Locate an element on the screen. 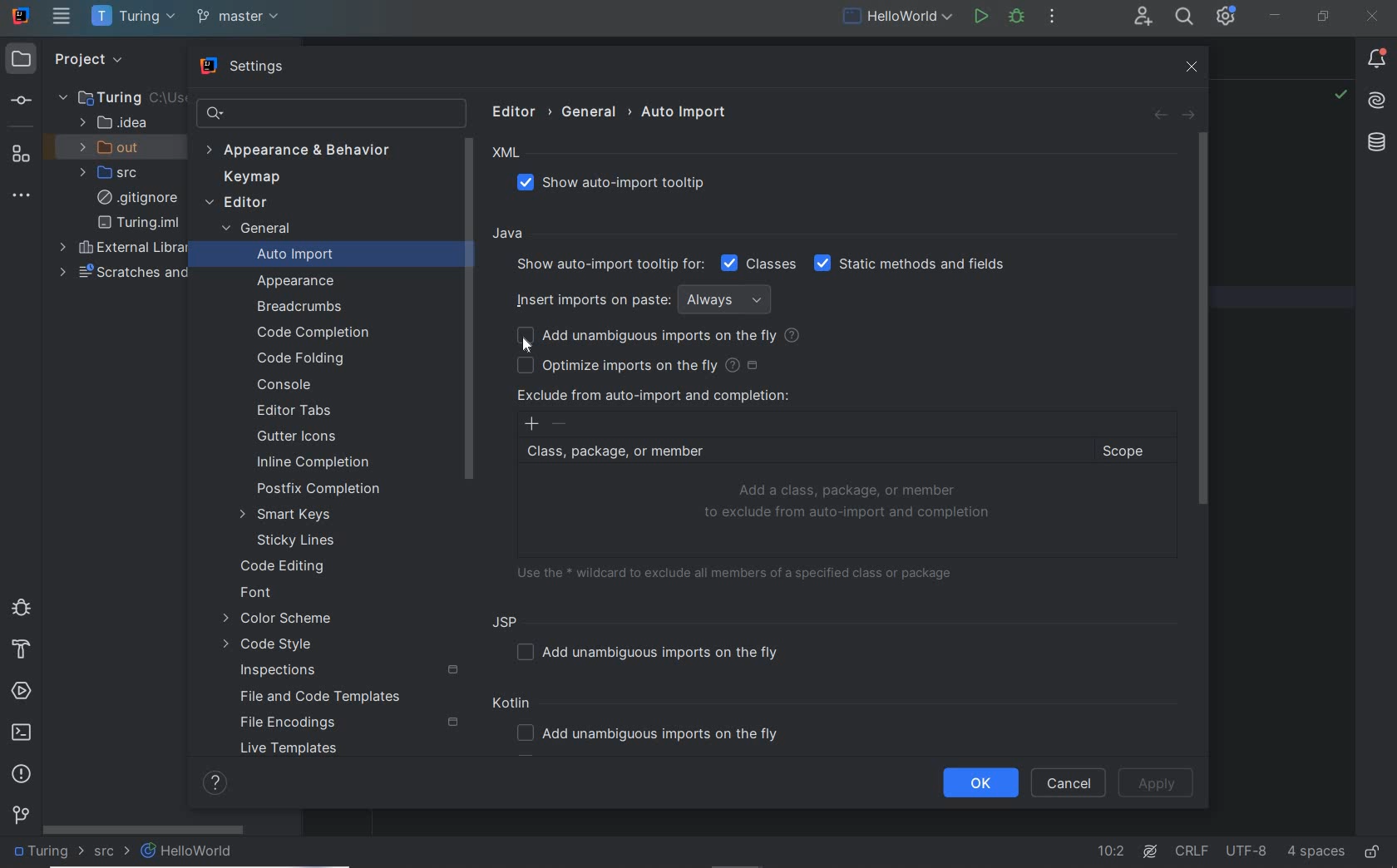  SETTINGS is located at coordinates (244, 68).